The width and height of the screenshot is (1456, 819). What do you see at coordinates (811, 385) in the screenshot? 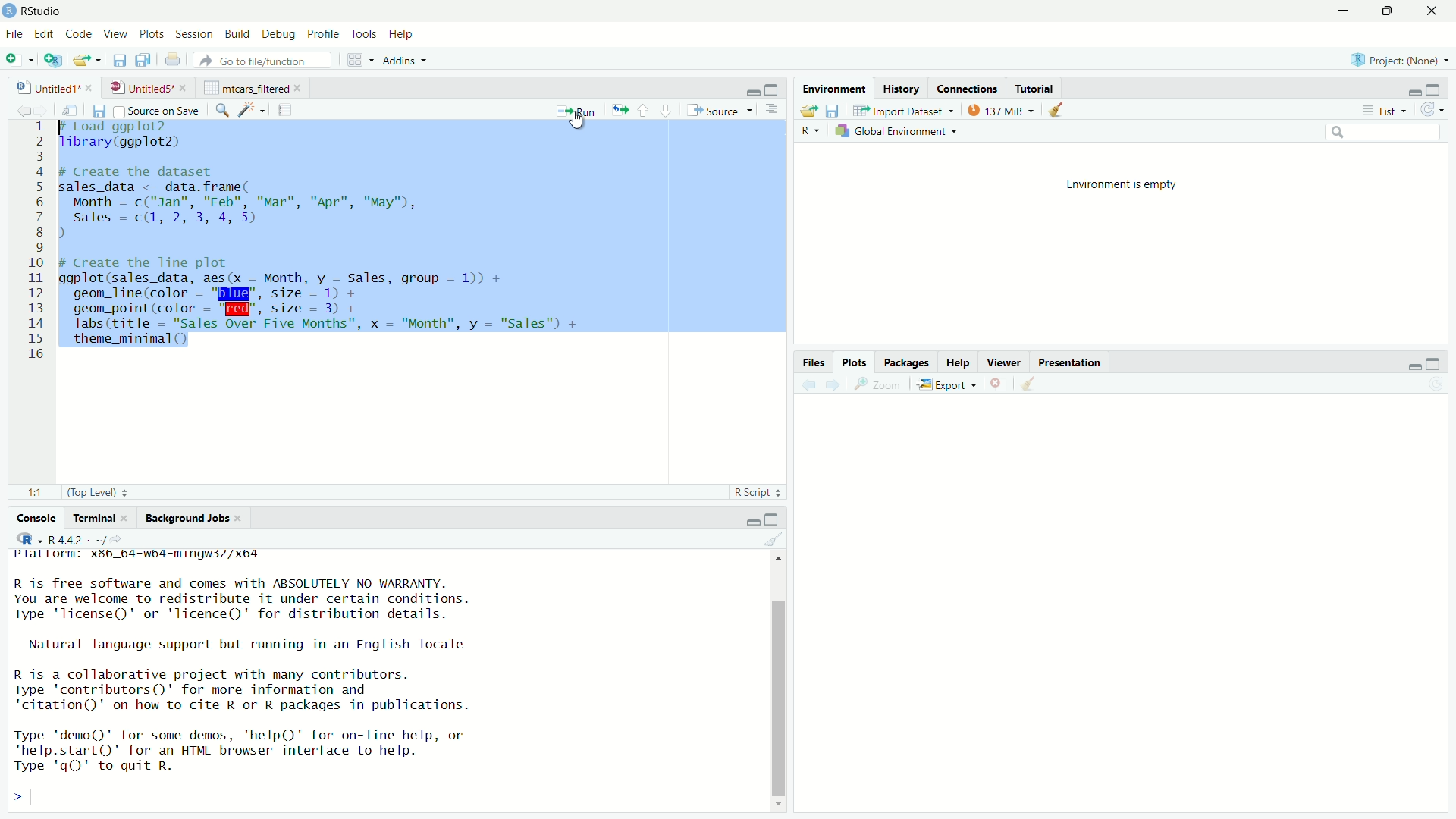
I see `back` at bounding box center [811, 385].